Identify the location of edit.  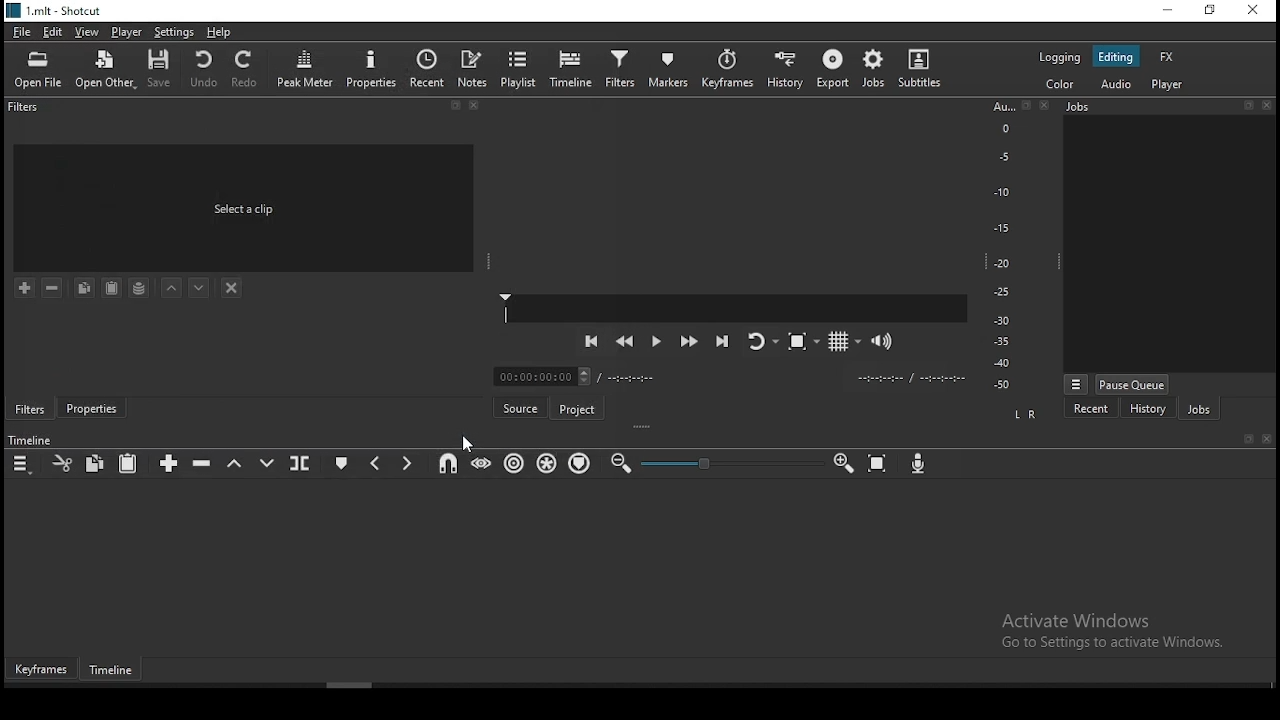
(55, 33).